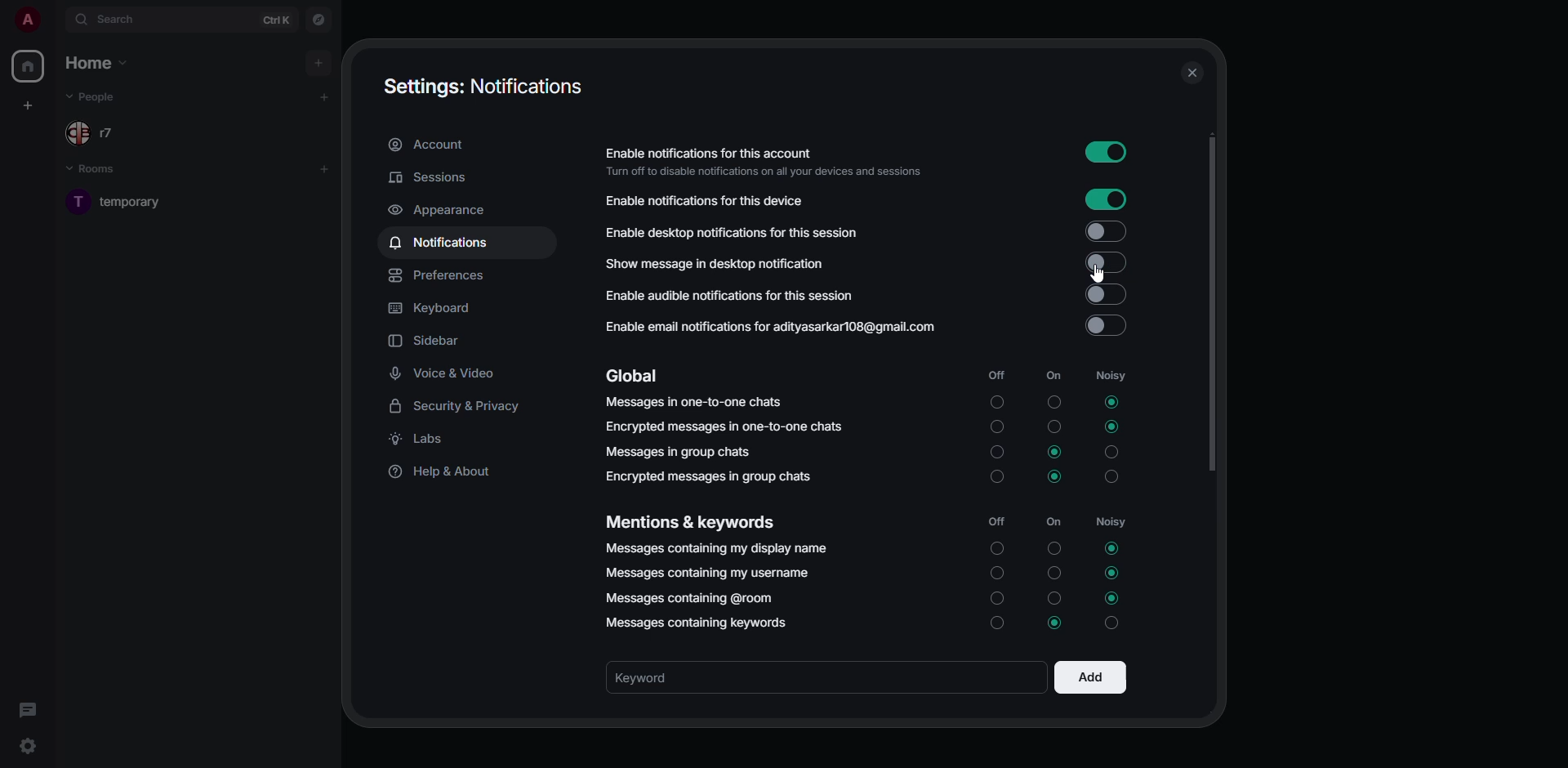 The height and width of the screenshot is (768, 1568). I want to click on enable desktop notifications for this session, so click(760, 232).